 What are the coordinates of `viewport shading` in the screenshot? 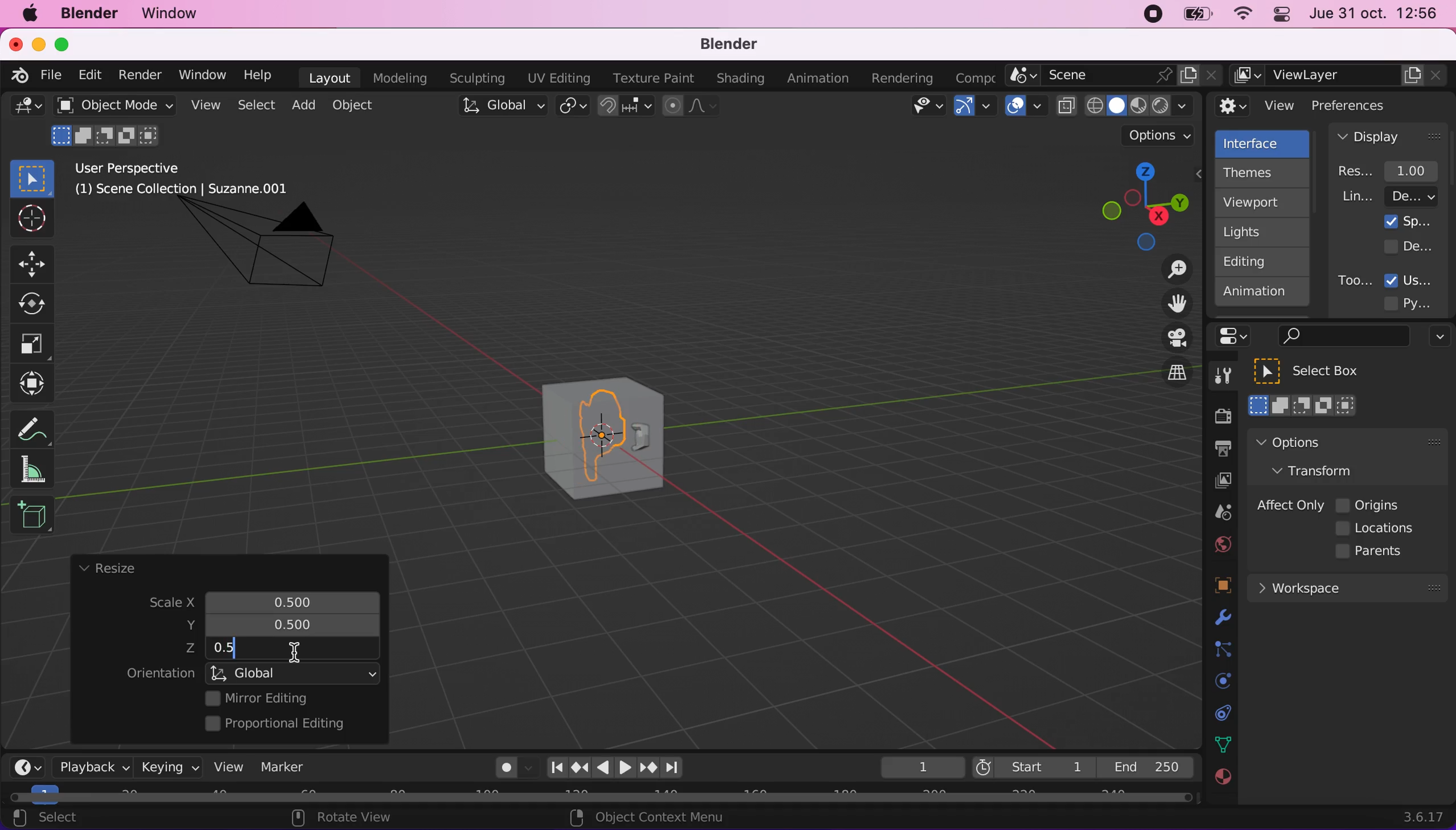 It's located at (1128, 105).